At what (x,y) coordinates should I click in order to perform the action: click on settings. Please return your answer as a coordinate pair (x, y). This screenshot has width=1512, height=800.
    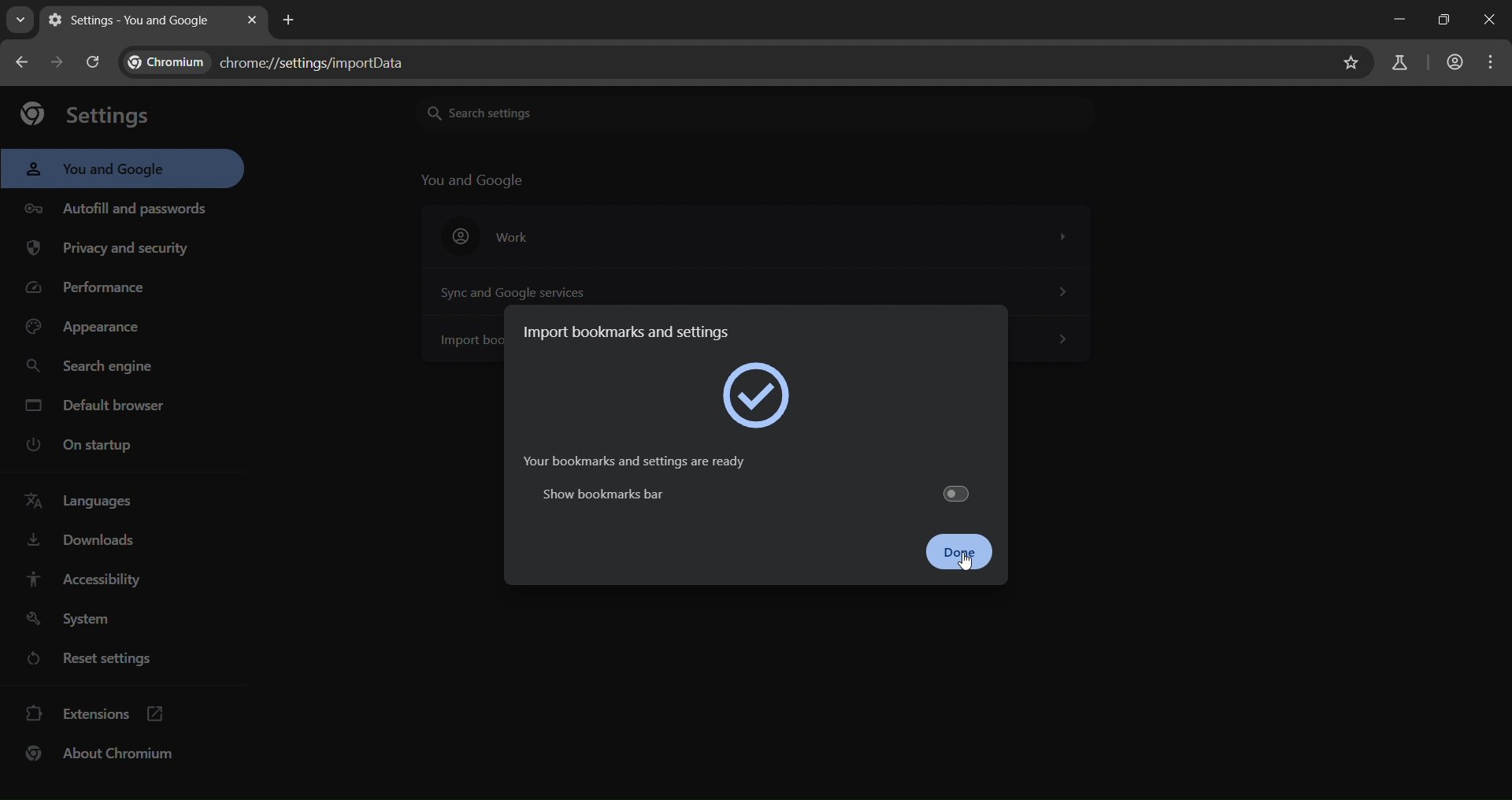
    Looking at the image, I should click on (91, 115).